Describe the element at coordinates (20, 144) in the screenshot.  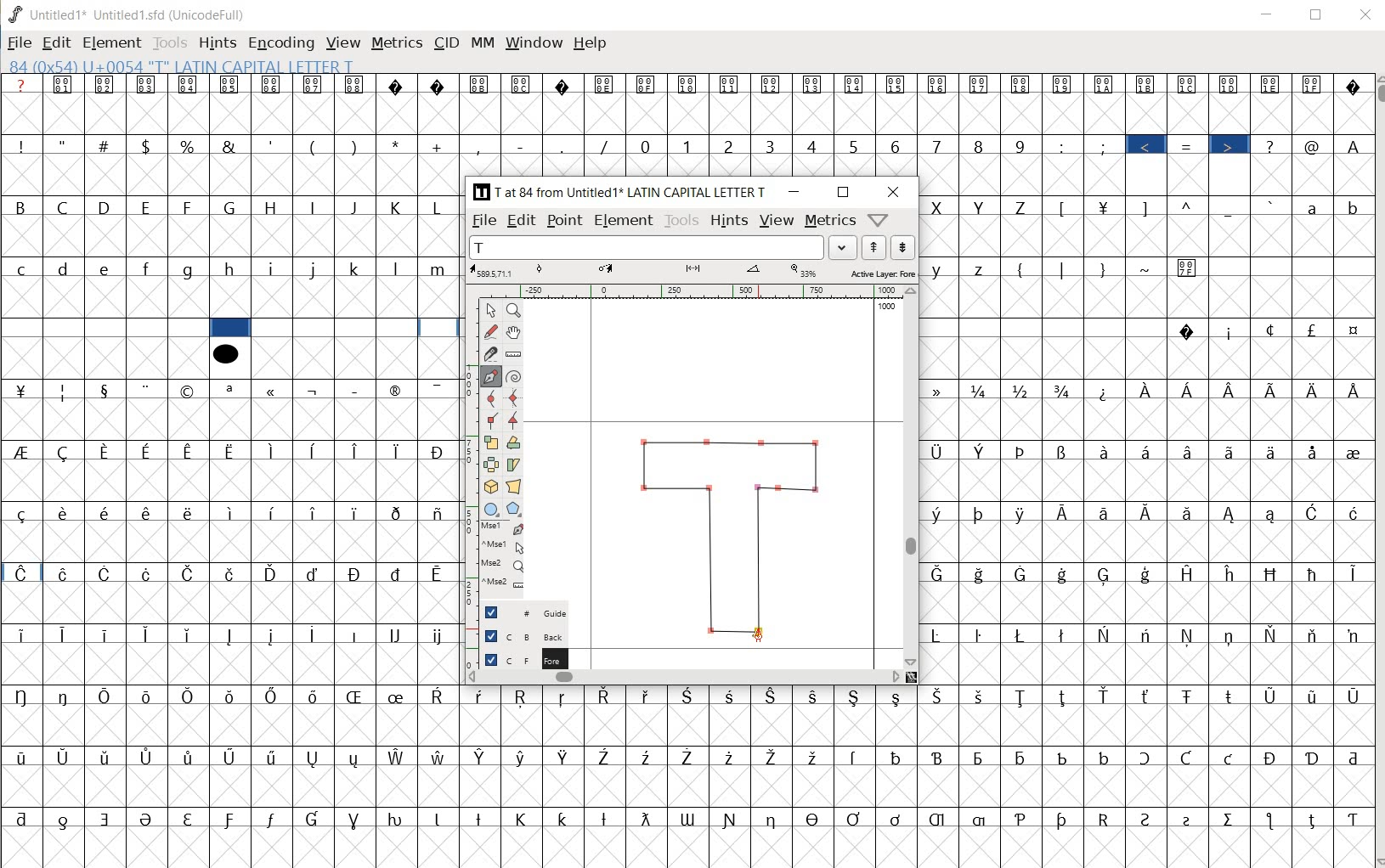
I see `!` at that location.